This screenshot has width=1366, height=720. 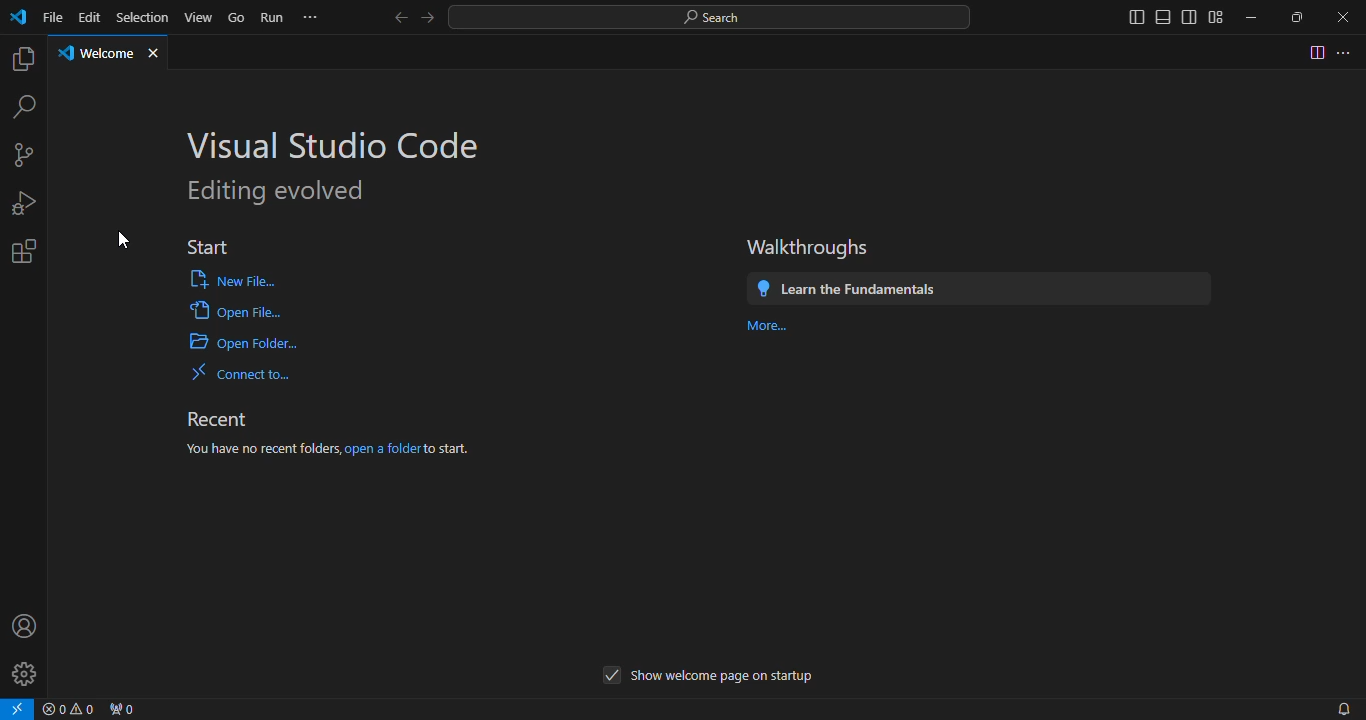 What do you see at coordinates (823, 242) in the screenshot?
I see `walkthroughs` at bounding box center [823, 242].